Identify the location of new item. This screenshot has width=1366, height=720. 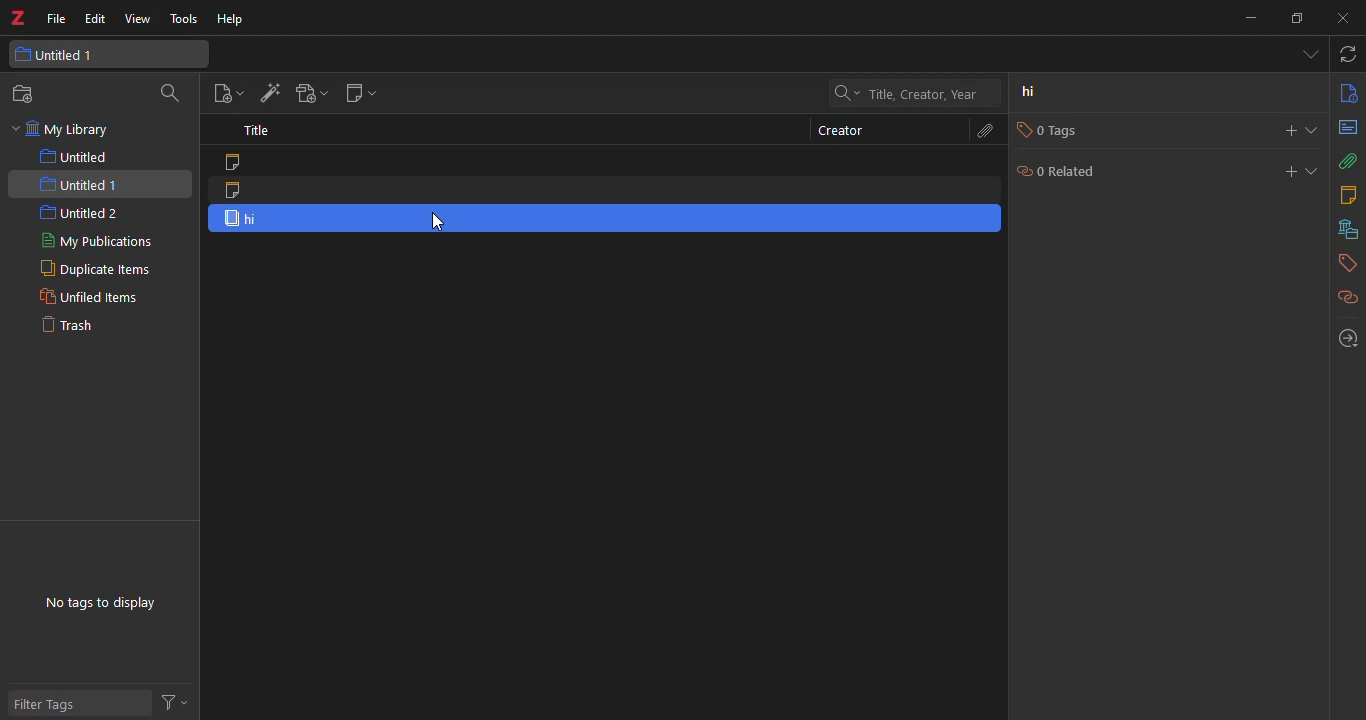
(227, 93).